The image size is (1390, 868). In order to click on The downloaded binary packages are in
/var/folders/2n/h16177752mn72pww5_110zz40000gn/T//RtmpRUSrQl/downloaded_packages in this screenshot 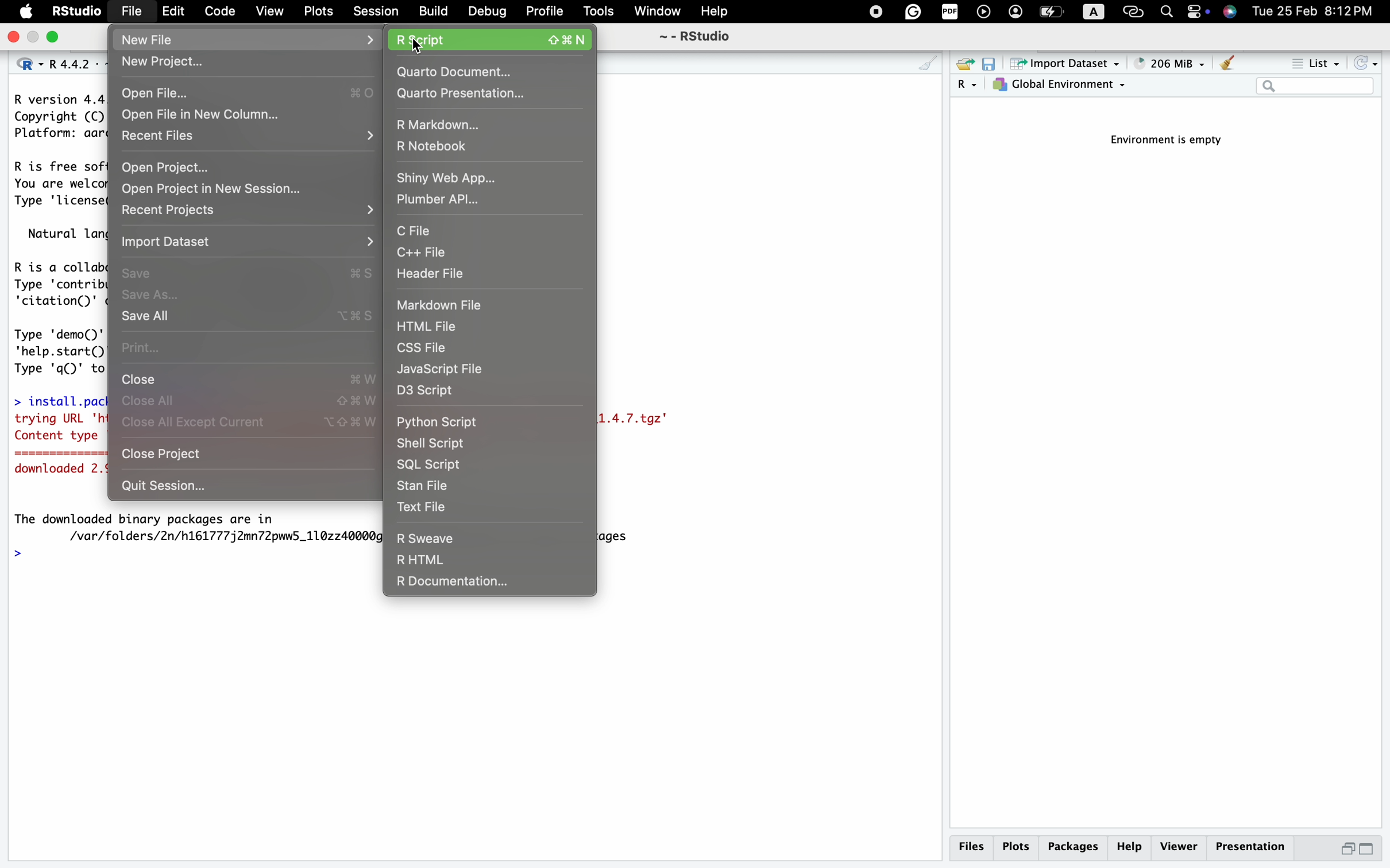, I will do `click(198, 526)`.